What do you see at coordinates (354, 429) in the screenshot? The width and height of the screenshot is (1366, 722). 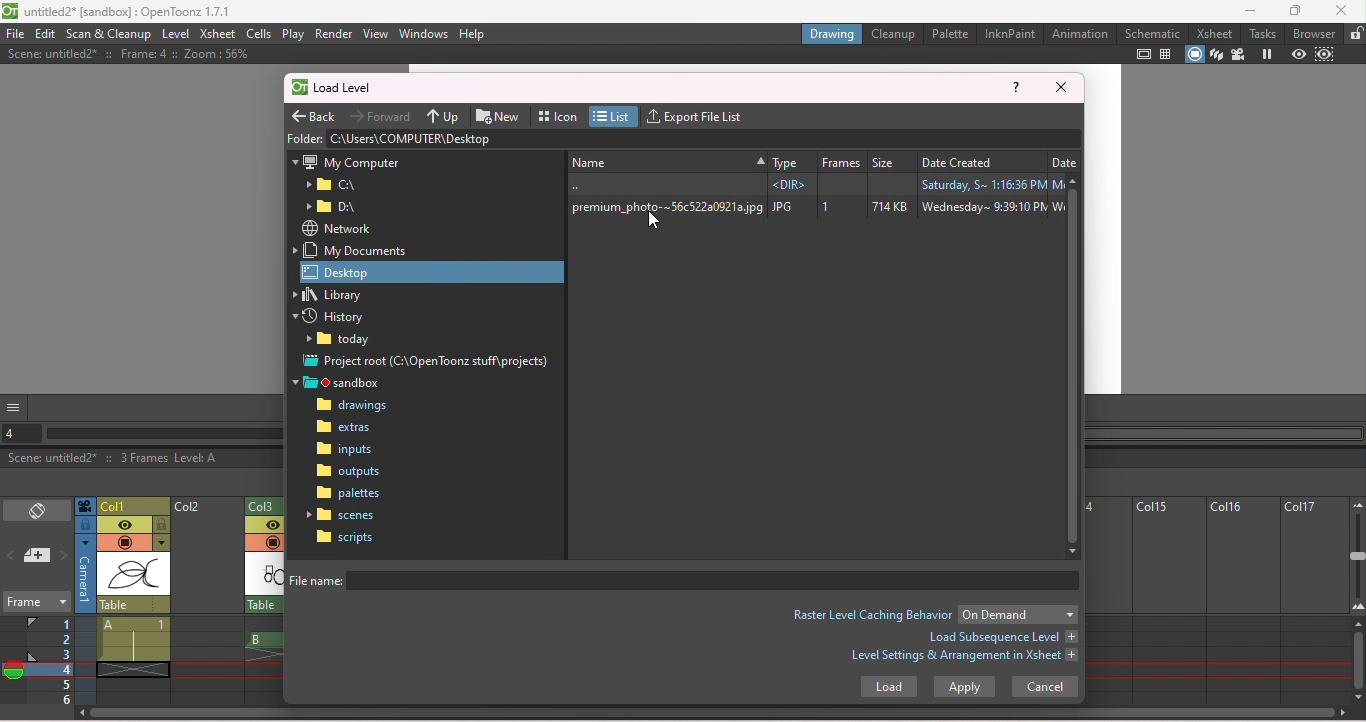 I see `Extras` at bounding box center [354, 429].